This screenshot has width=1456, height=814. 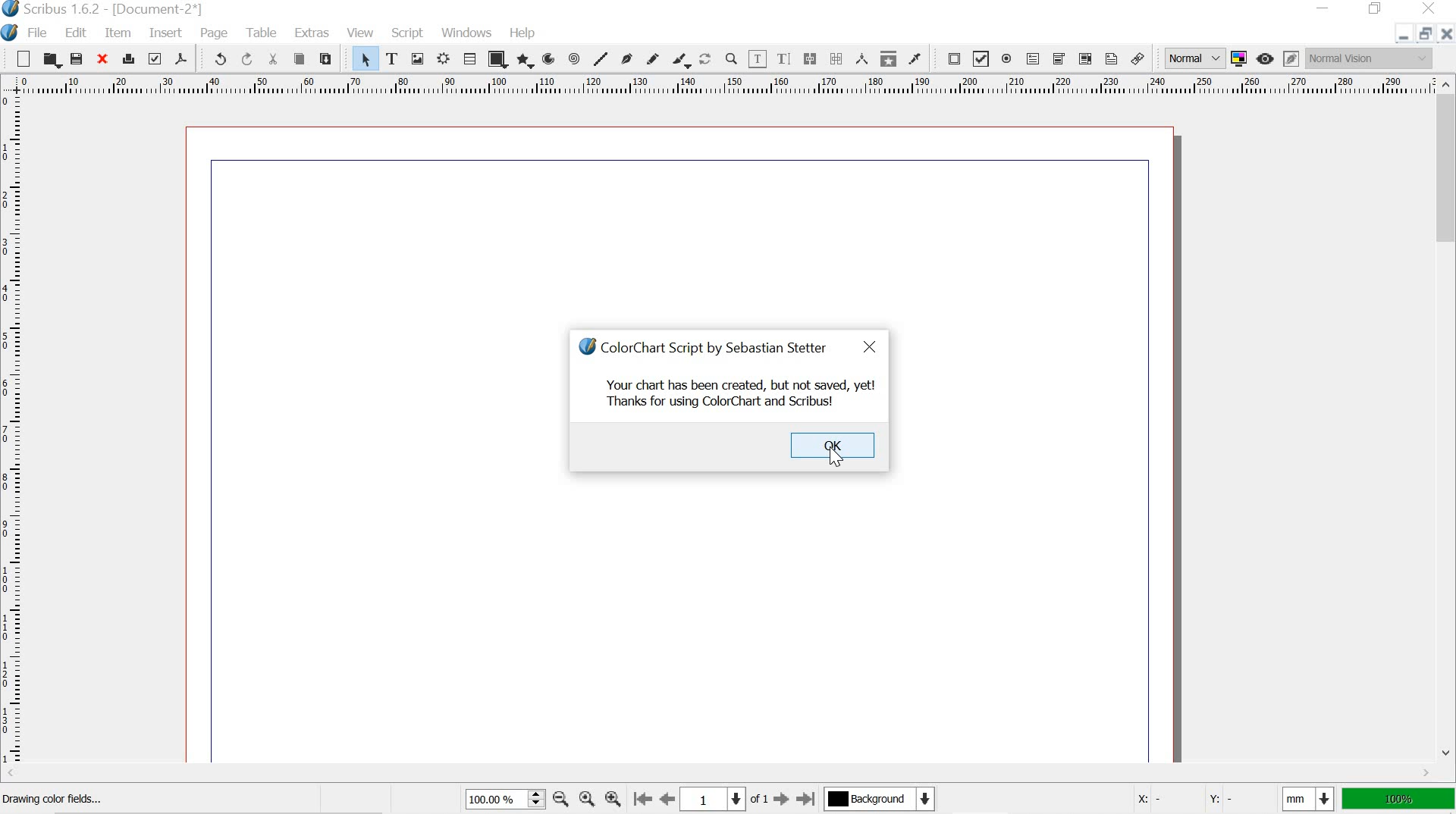 I want to click on scrollbar, so click(x=714, y=774).